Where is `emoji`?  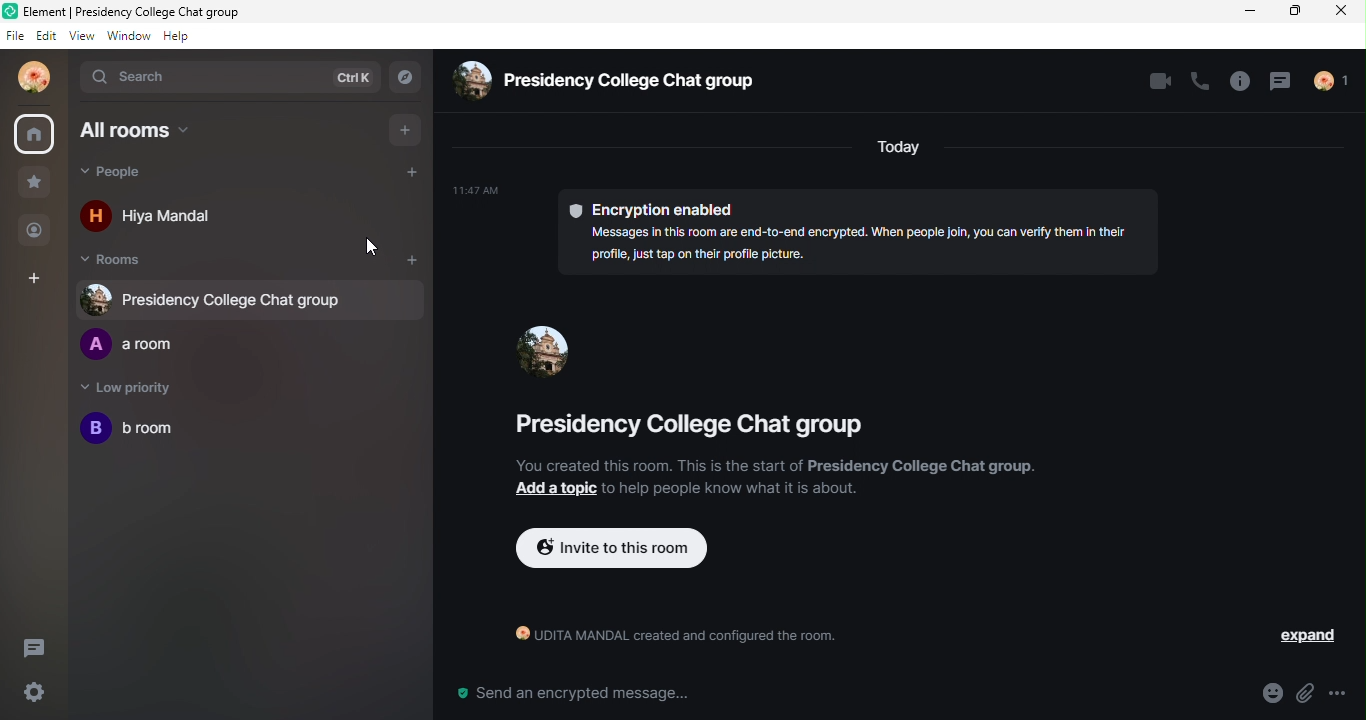
emoji is located at coordinates (1262, 694).